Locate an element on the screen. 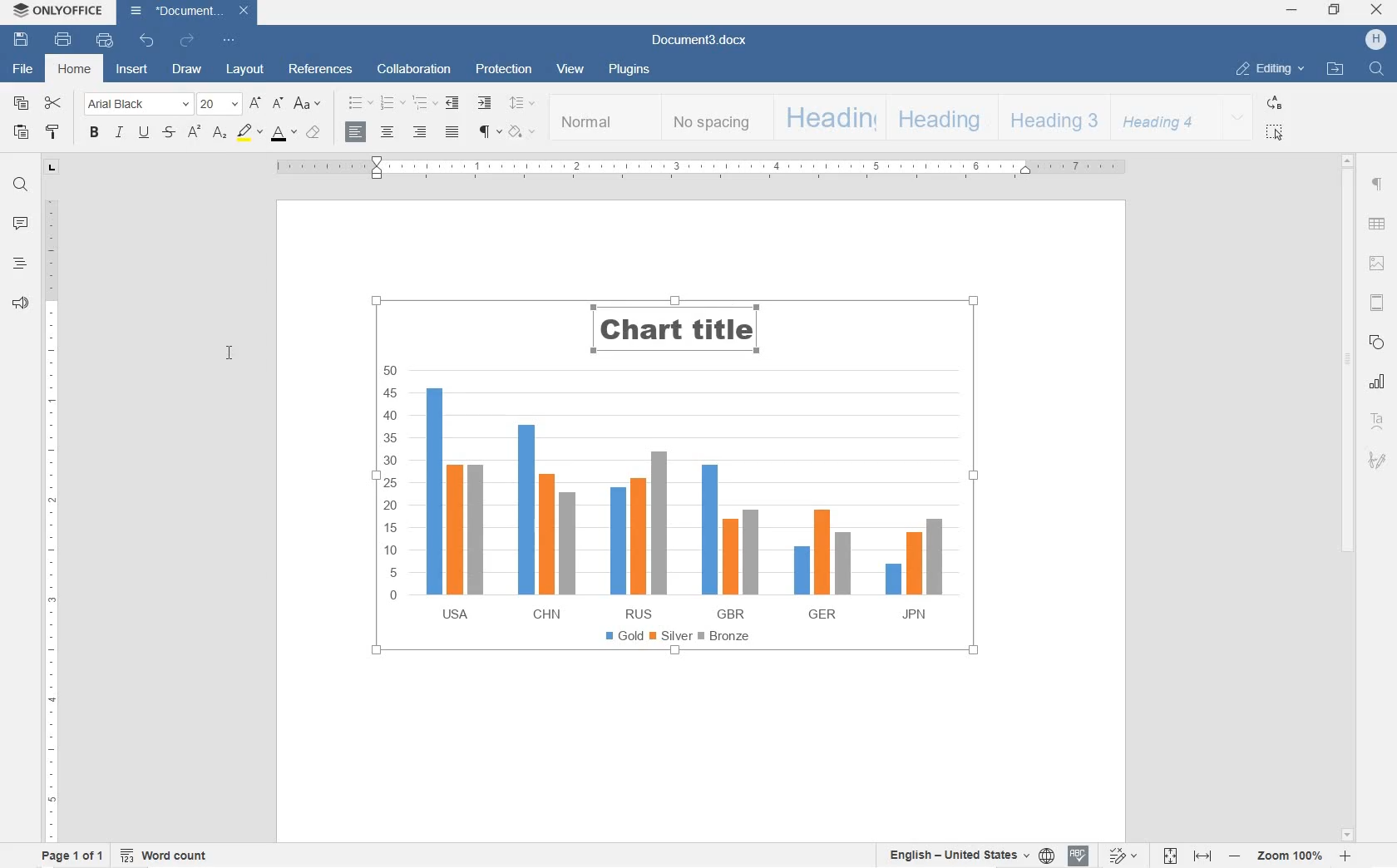  PASTE is located at coordinates (21, 132).